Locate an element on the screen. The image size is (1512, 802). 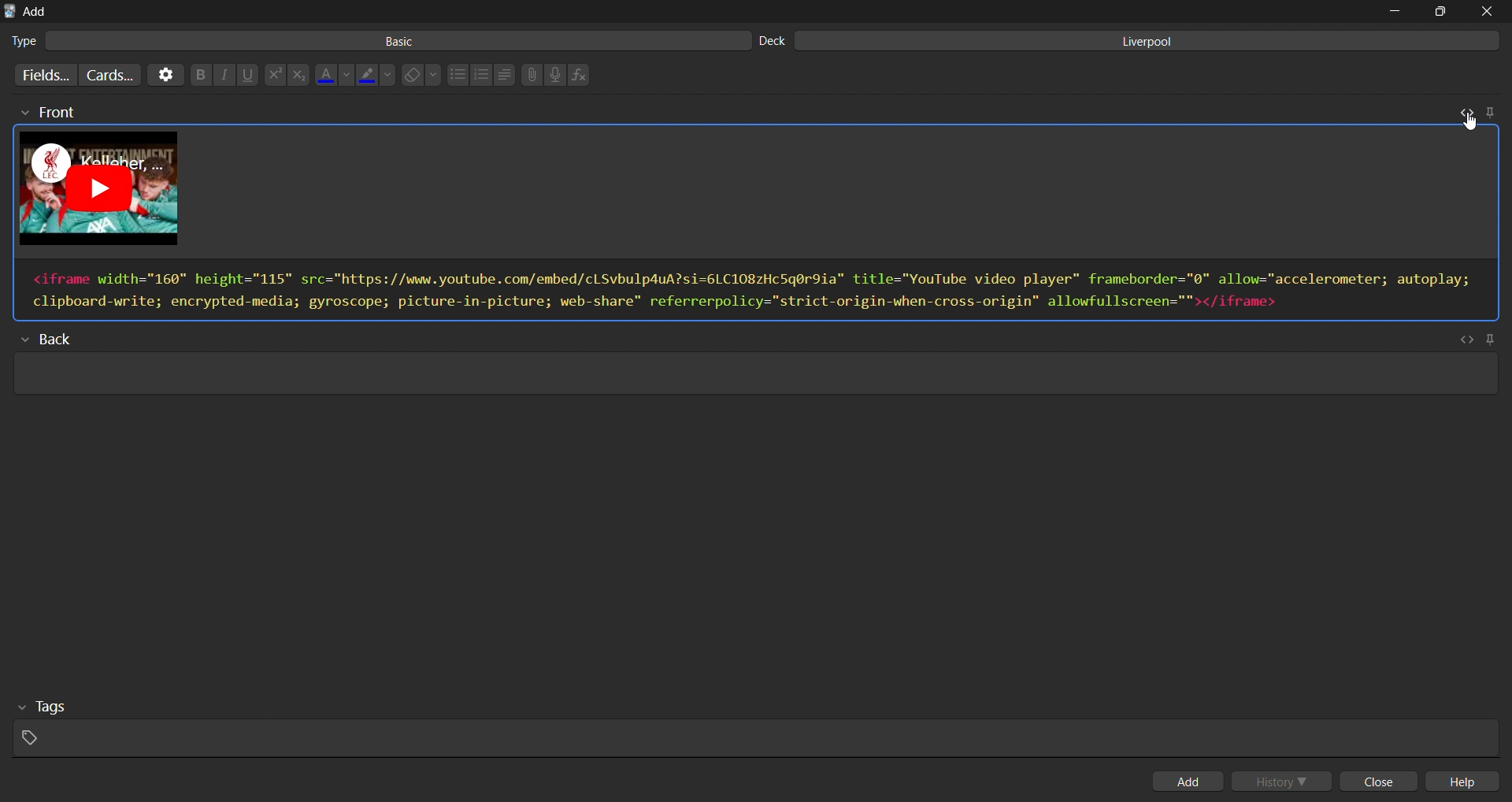
tags input field is located at coordinates (750, 726).